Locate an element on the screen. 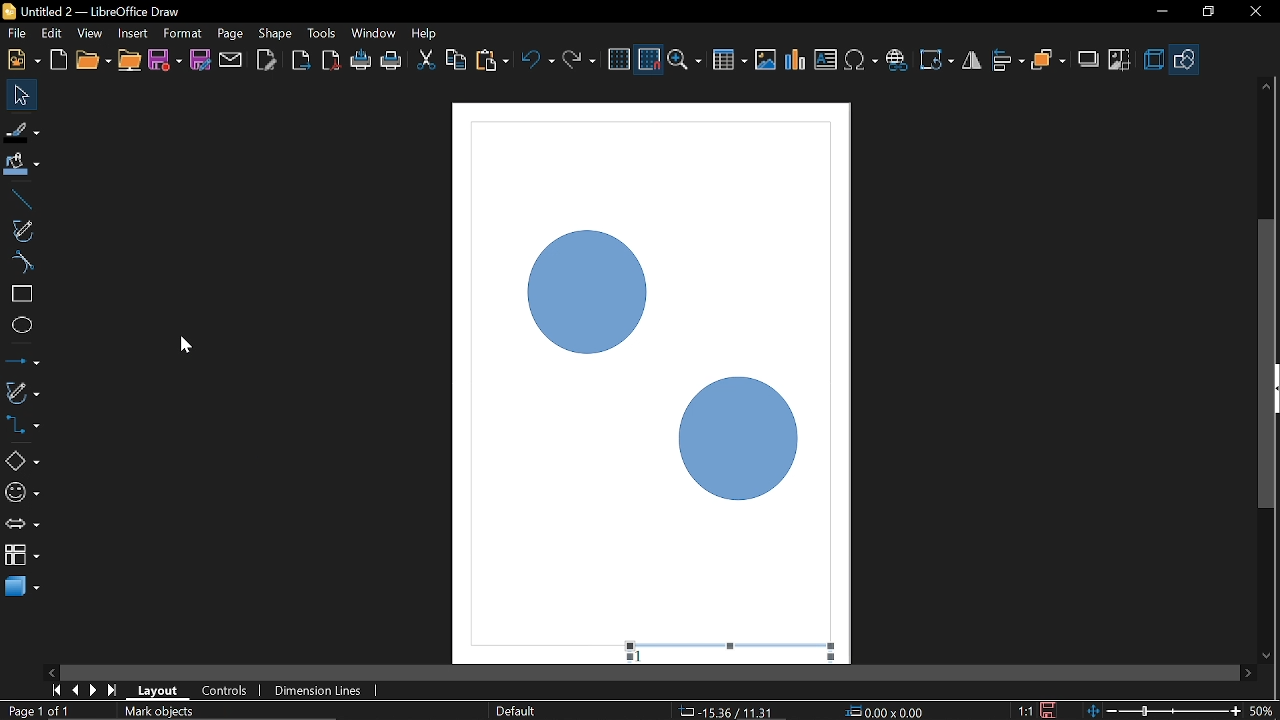 The height and width of the screenshot is (720, 1280). Next page is located at coordinates (94, 690).